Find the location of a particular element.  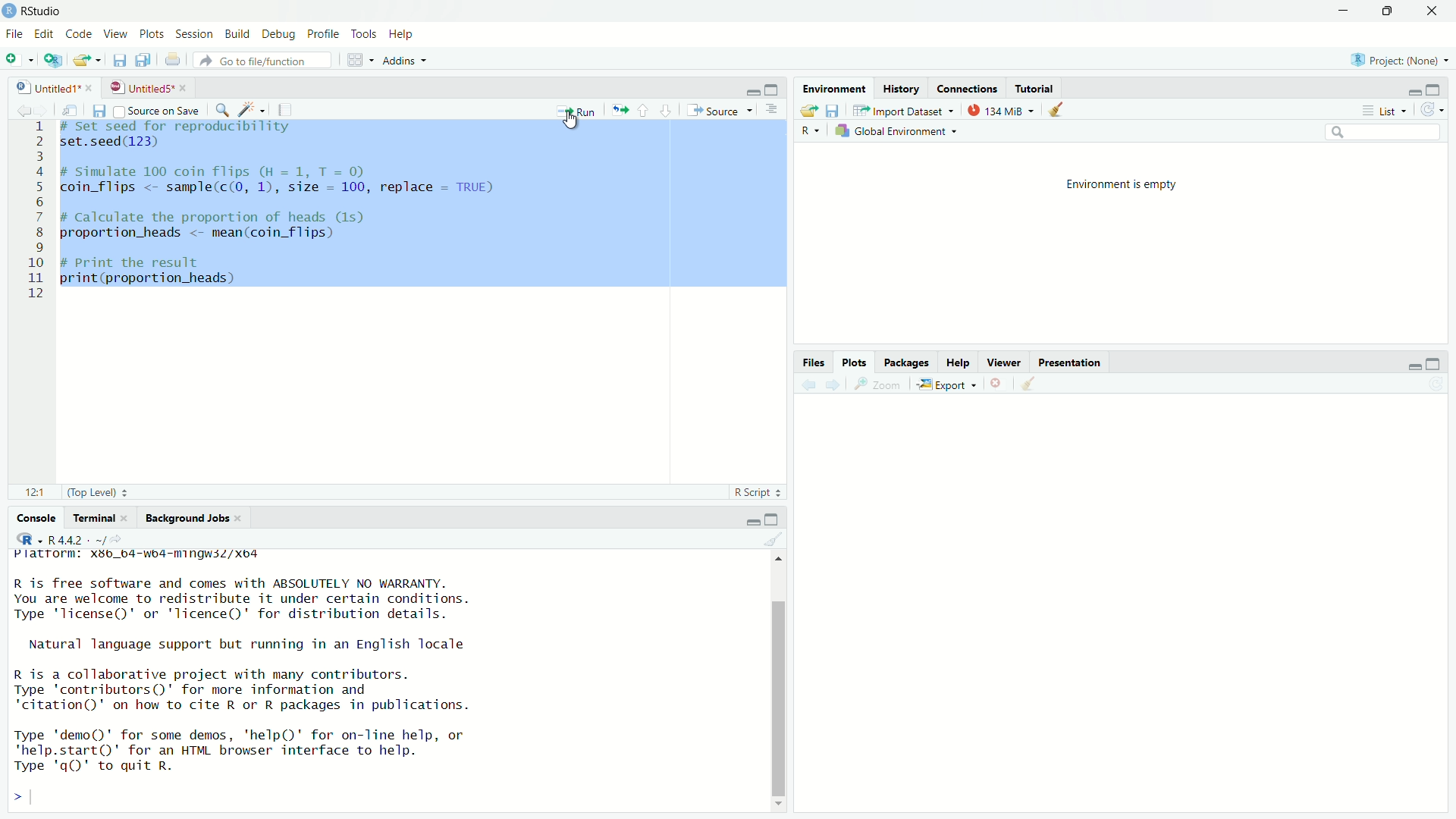

tools is located at coordinates (364, 33).